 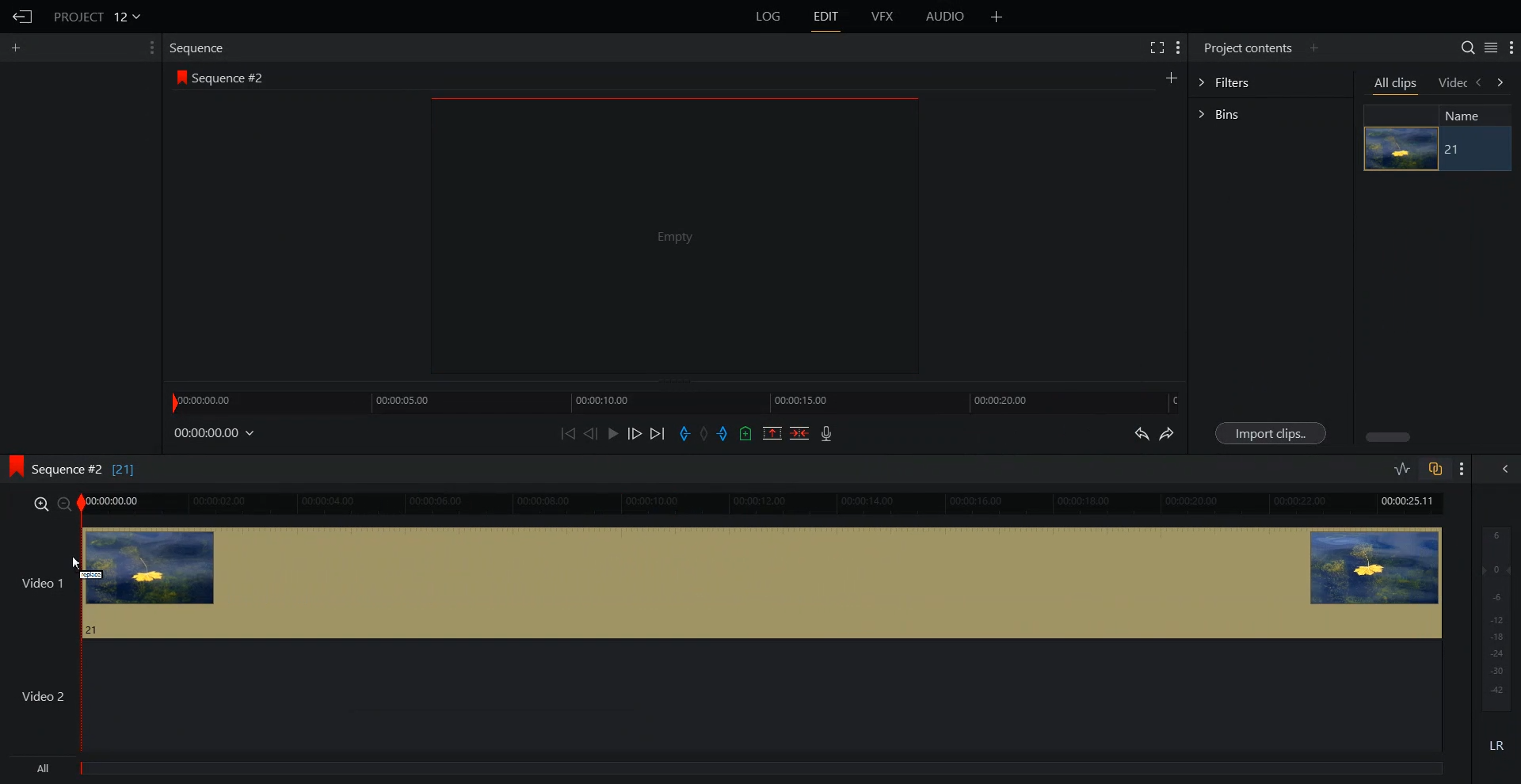 What do you see at coordinates (1454, 150) in the screenshot?
I see `21` at bounding box center [1454, 150].